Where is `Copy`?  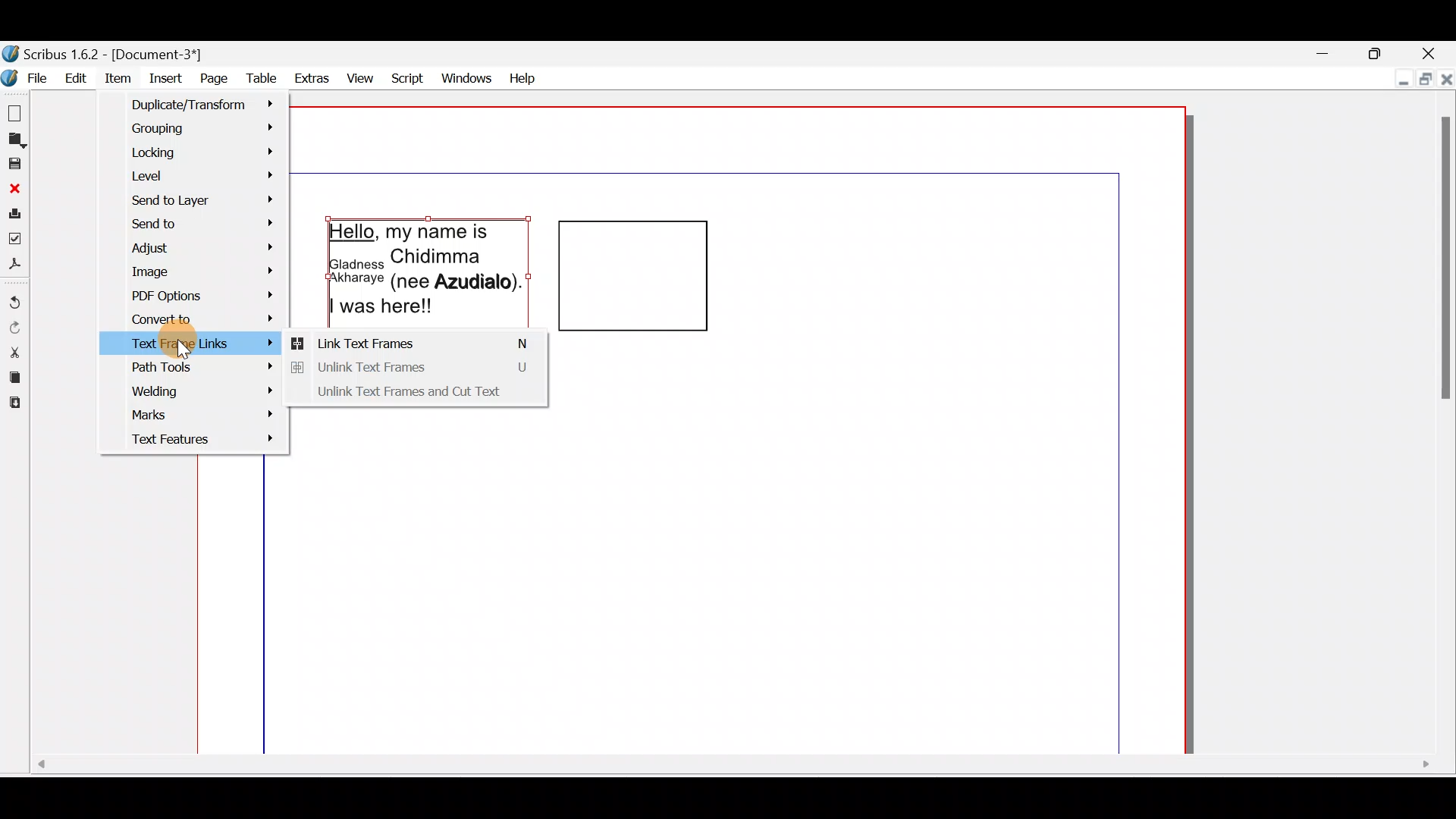 Copy is located at coordinates (14, 378).